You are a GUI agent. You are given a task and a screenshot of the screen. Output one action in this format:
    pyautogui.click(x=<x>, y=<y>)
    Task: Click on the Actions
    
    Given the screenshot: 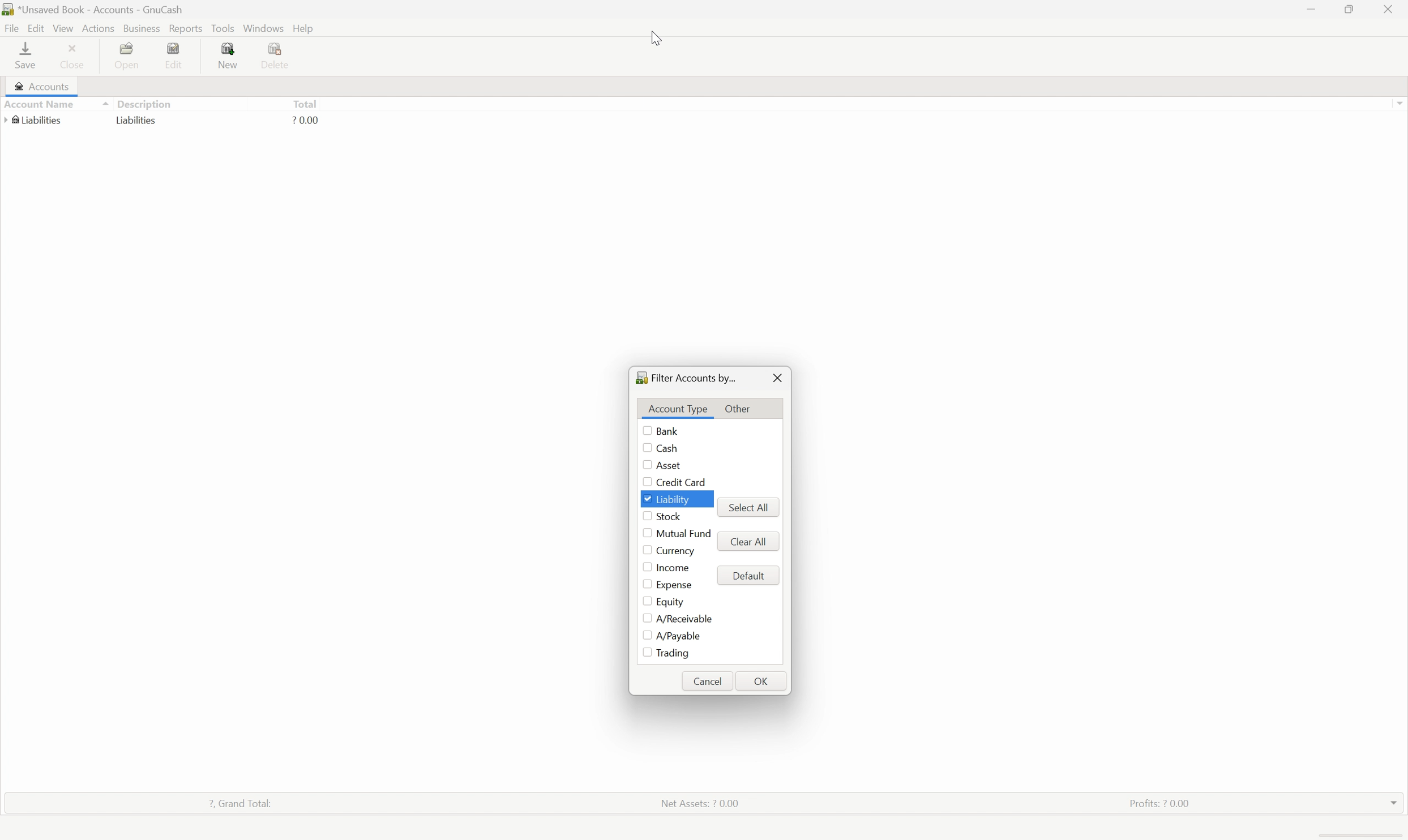 What is the action you would take?
    pyautogui.click(x=99, y=28)
    